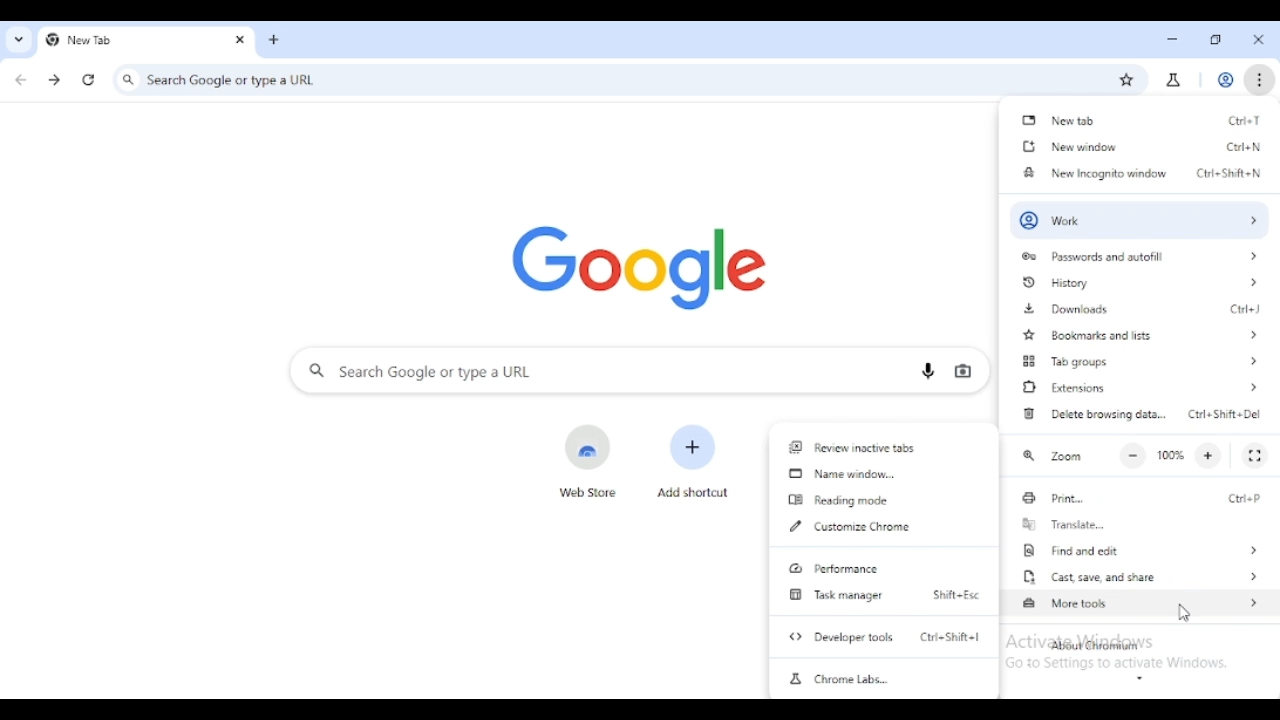  What do you see at coordinates (1059, 498) in the screenshot?
I see `print` at bounding box center [1059, 498].